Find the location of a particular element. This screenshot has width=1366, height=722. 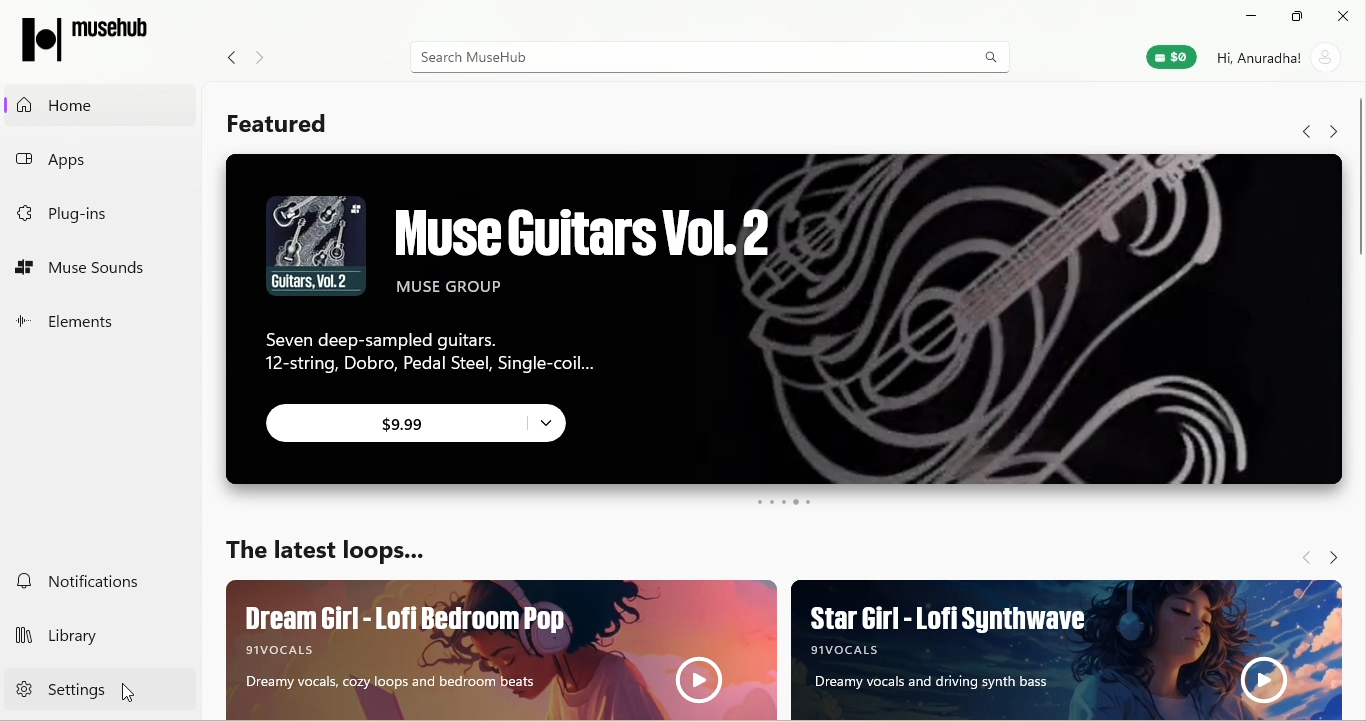

close is located at coordinates (1344, 16).